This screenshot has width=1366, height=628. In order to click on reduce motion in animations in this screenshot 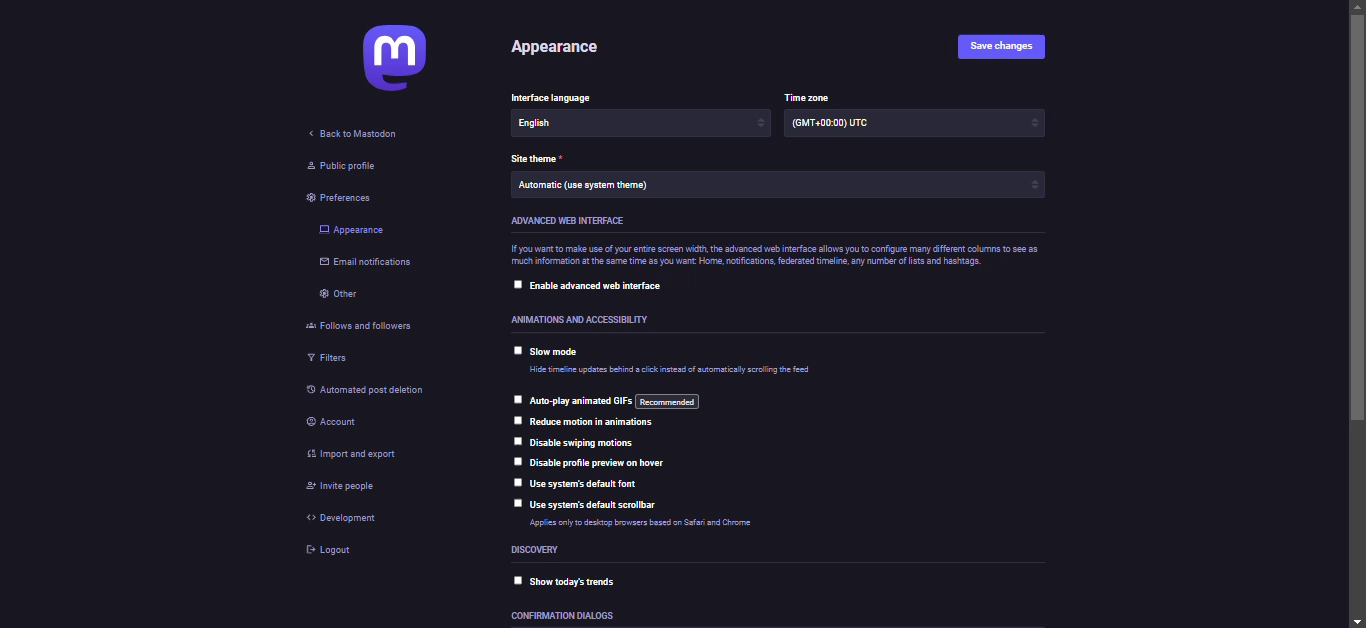, I will do `click(597, 423)`.